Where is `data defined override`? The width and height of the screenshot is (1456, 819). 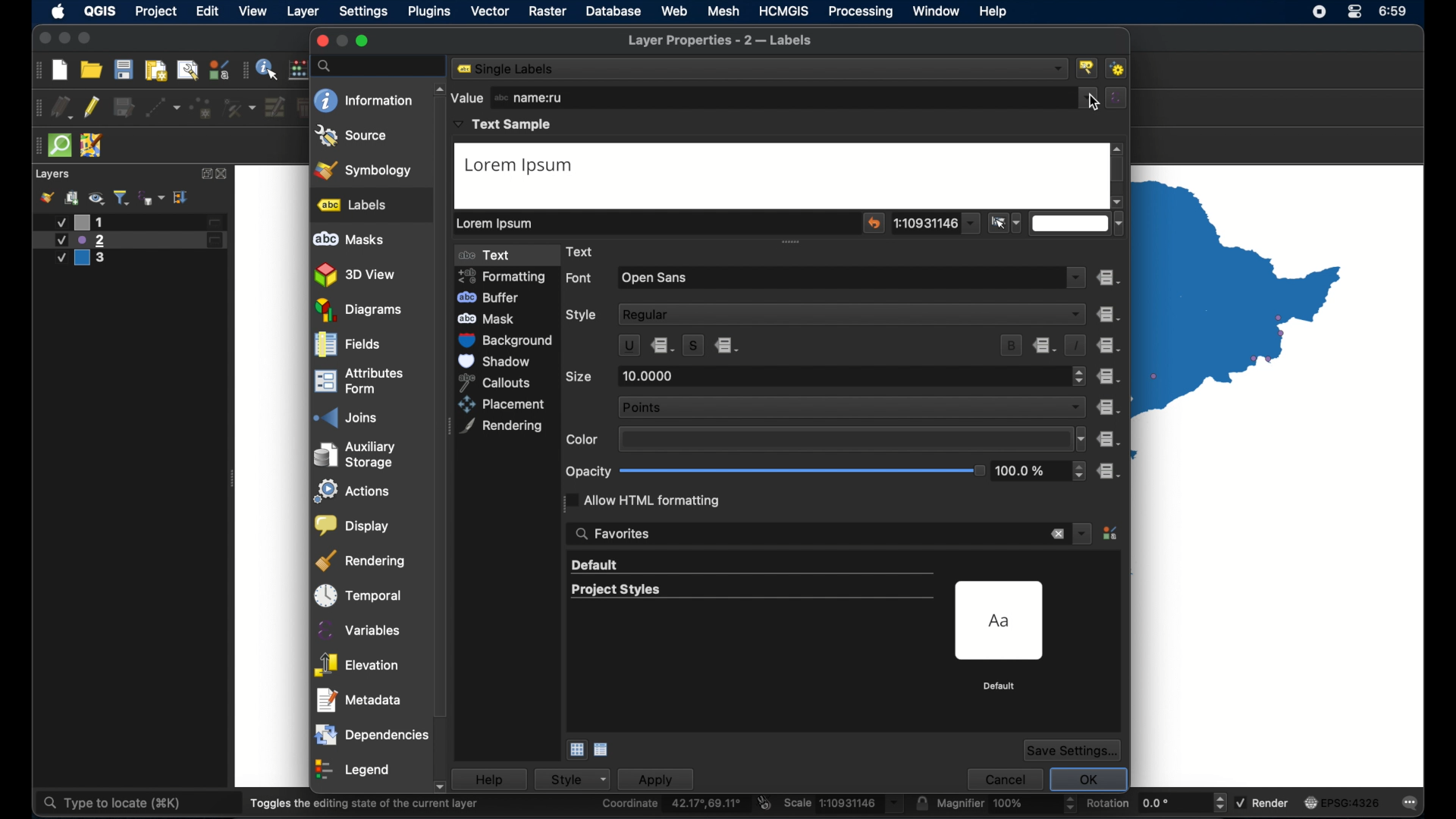 data defined override is located at coordinates (1108, 376).